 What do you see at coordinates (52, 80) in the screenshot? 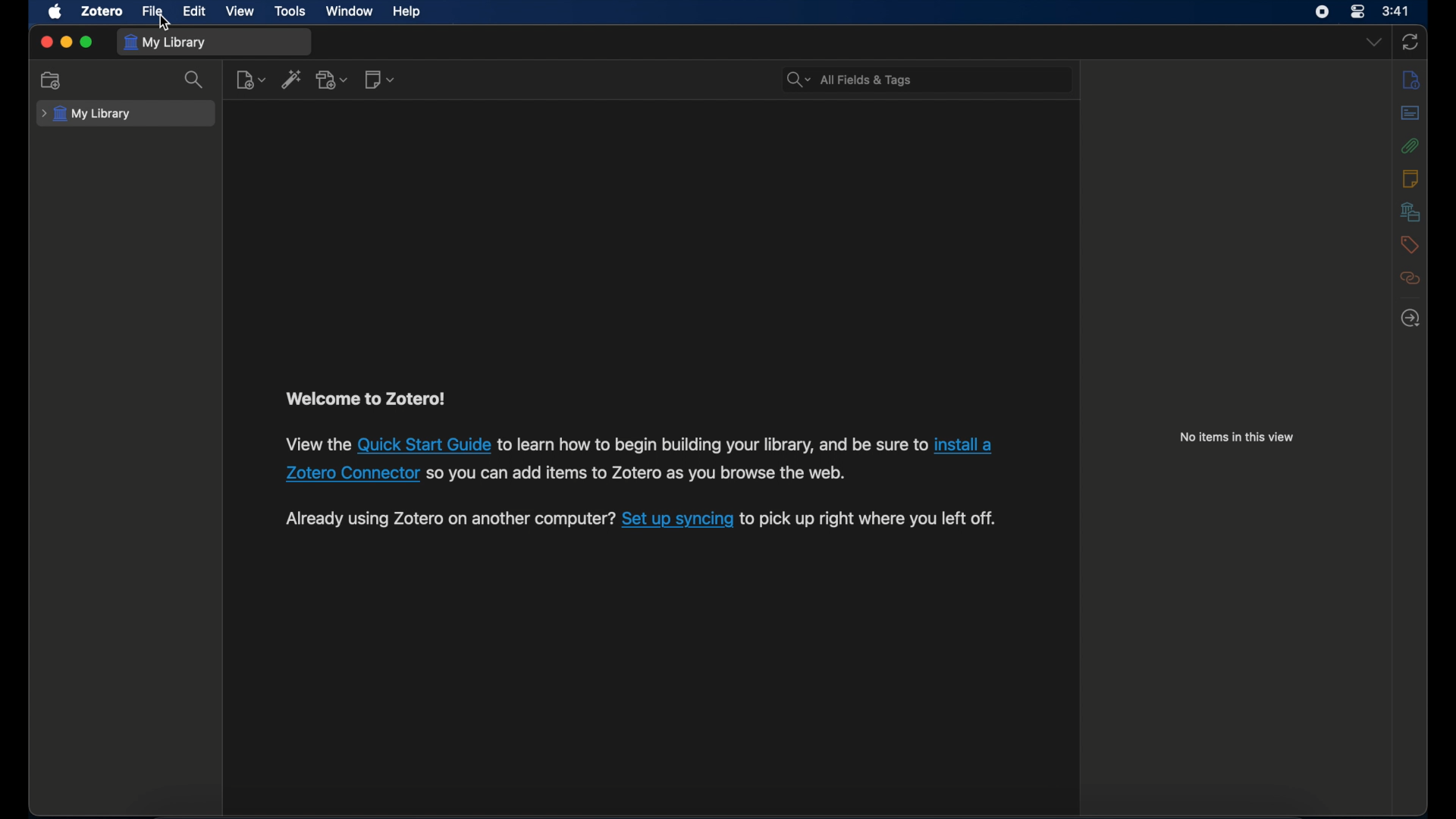
I see `new collection` at bounding box center [52, 80].